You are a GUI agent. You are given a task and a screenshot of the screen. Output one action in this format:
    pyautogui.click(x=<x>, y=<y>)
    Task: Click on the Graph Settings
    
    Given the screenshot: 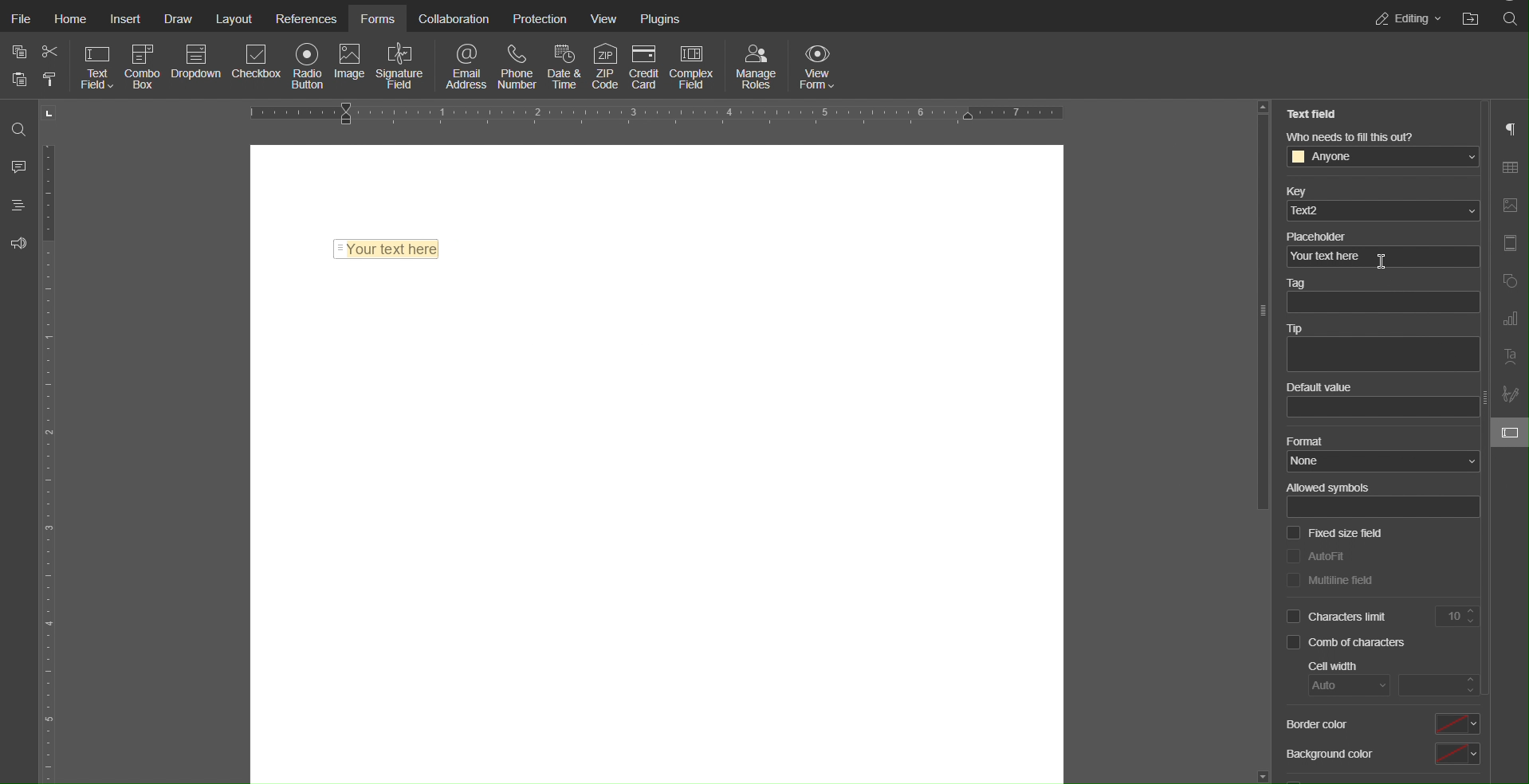 What is the action you would take?
    pyautogui.click(x=1509, y=319)
    